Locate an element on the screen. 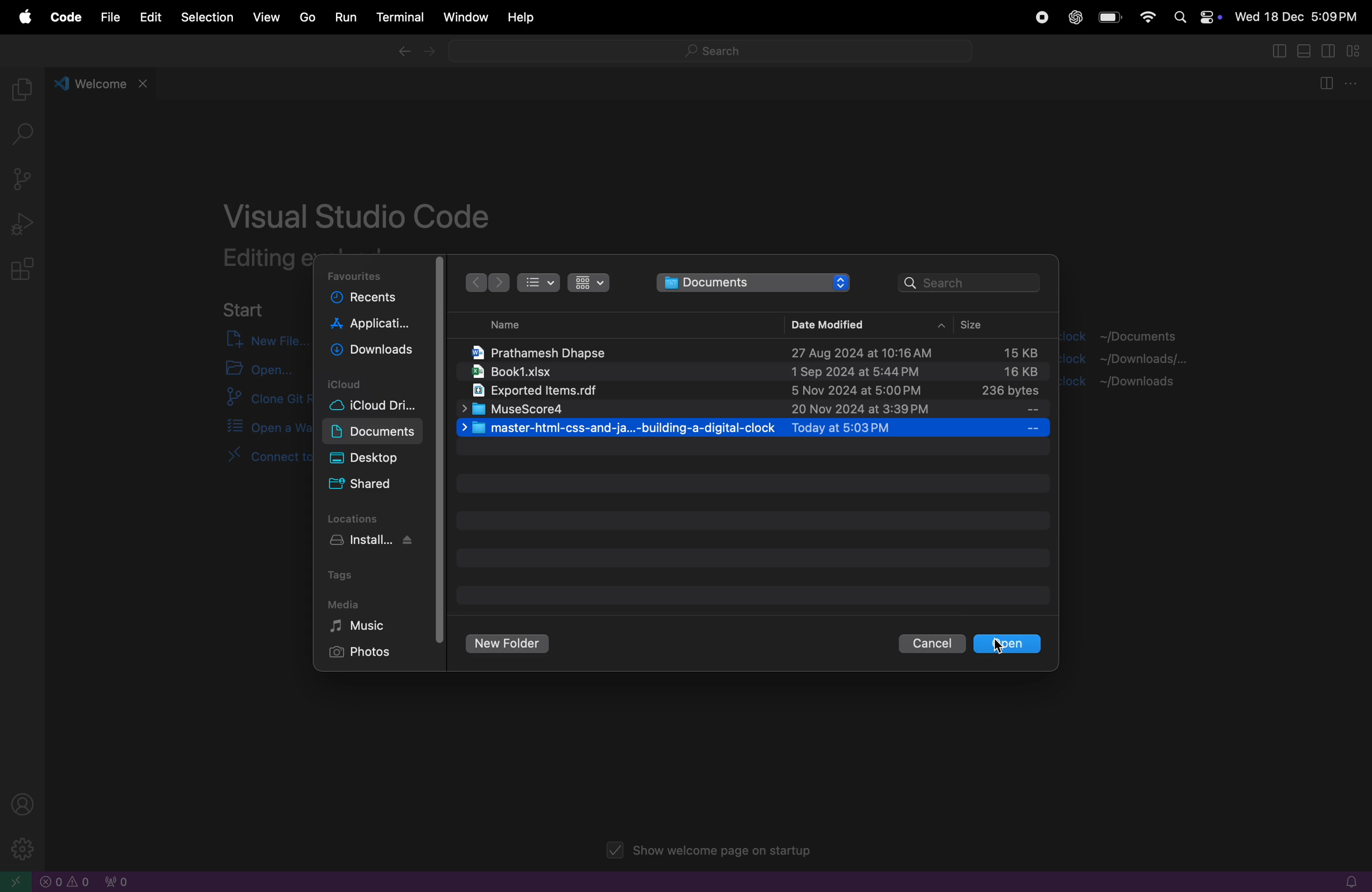 The height and width of the screenshot is (892, 1372). date and time is located at coordinates (1297, 18).